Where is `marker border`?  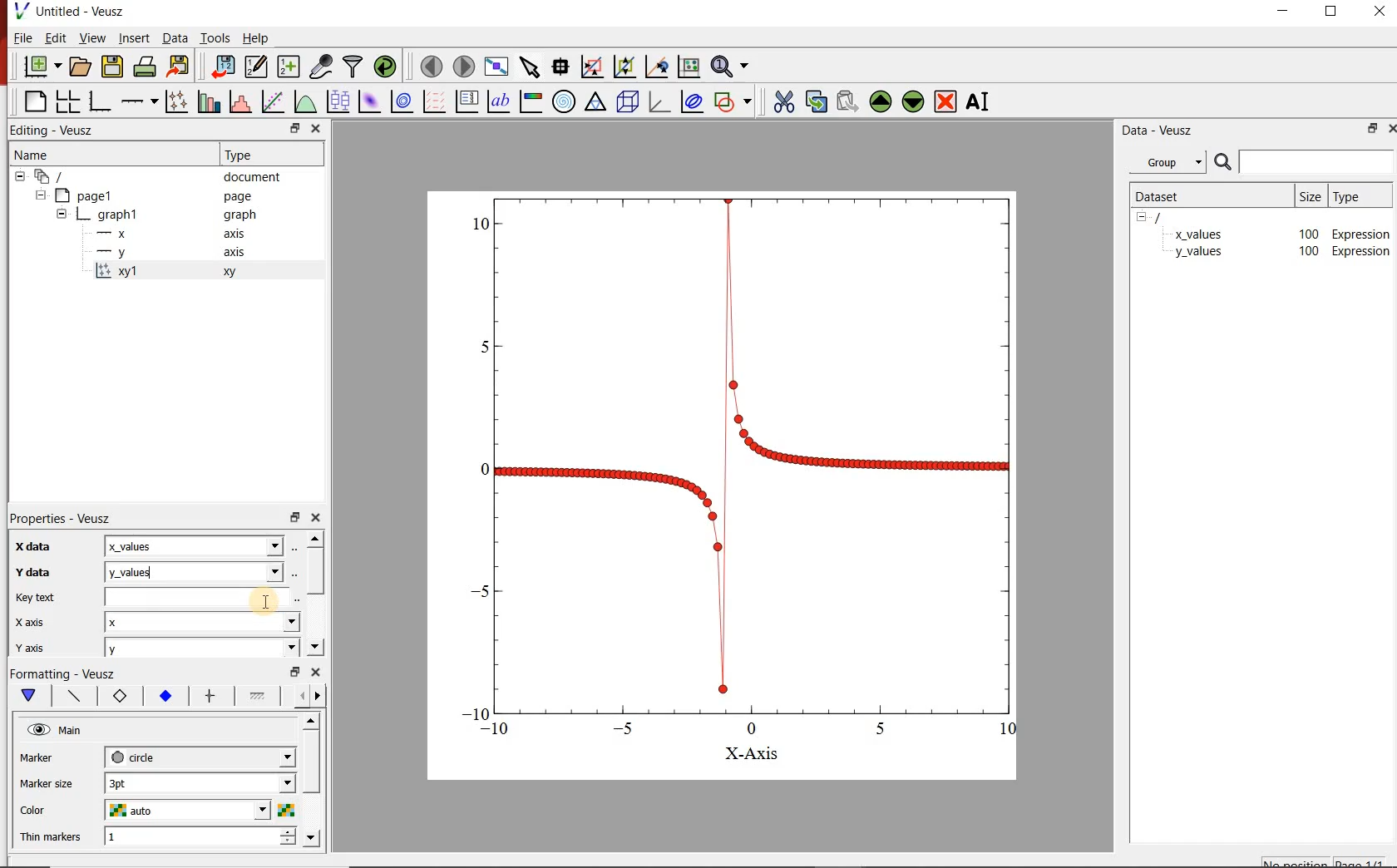 marker border is located at coordinates (119, 697).